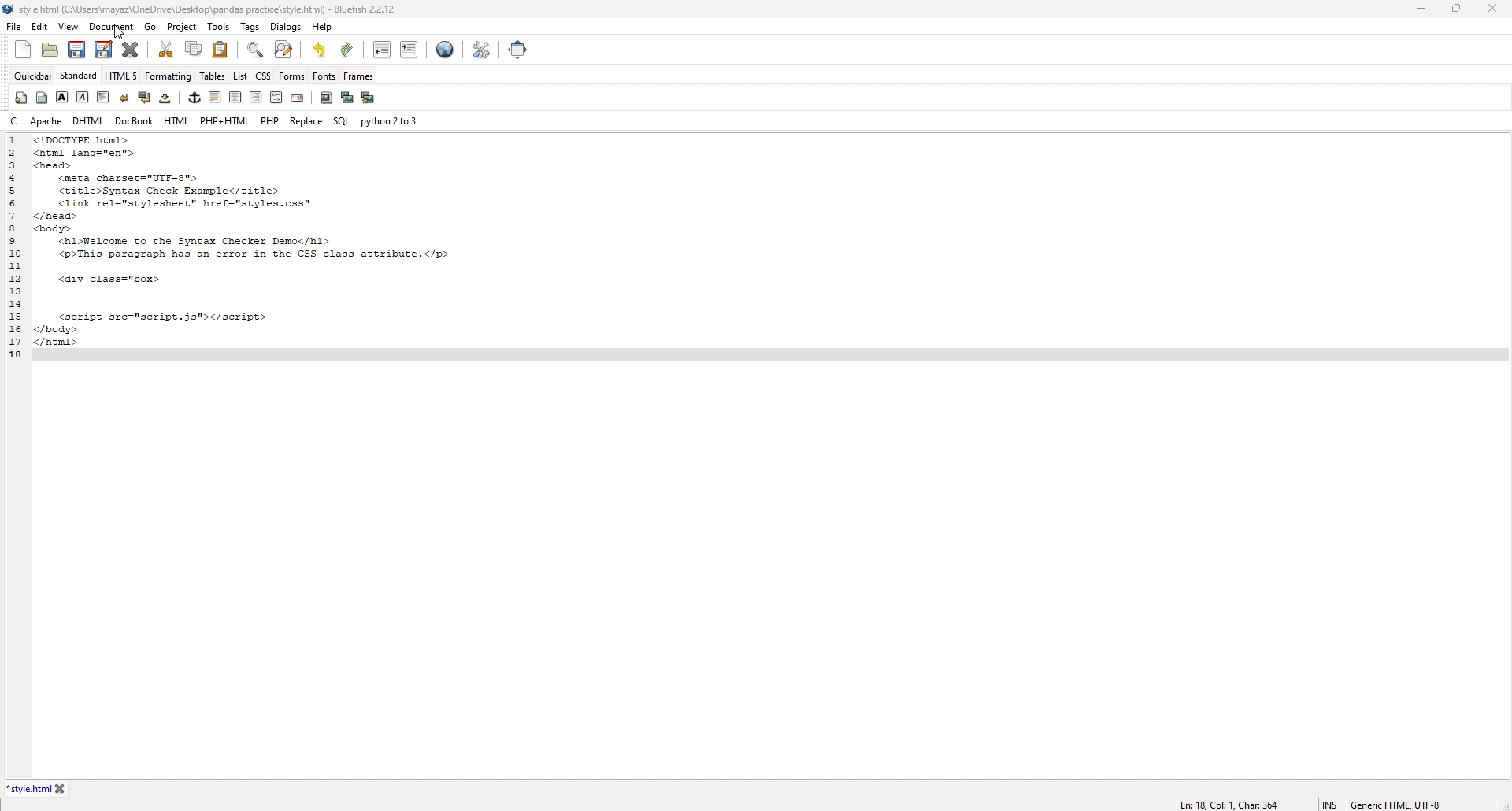 This screenshot has height=811, width=1512. I want to click on file, so click(13, 27).